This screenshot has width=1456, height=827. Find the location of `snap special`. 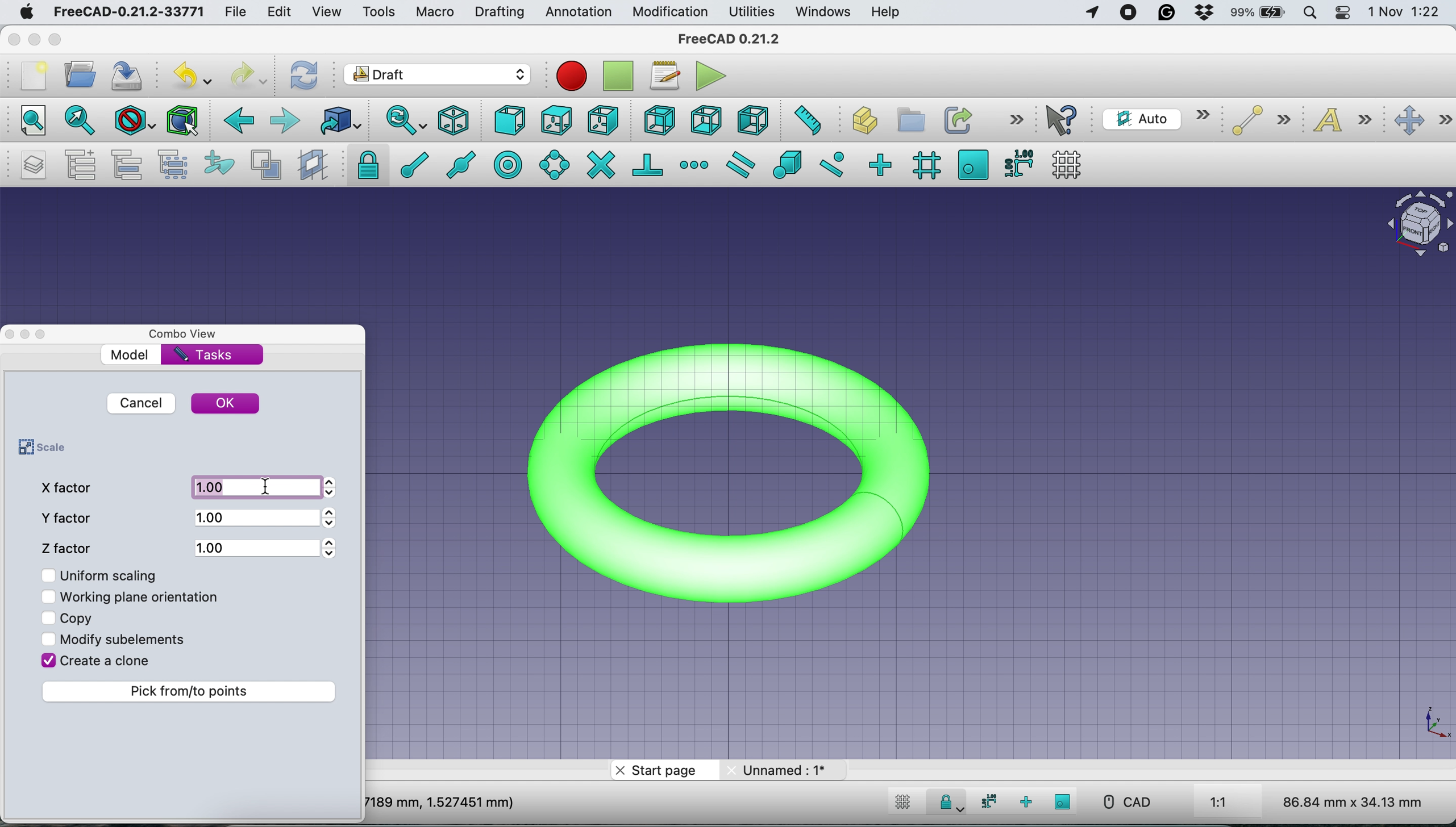

snap special is located at coordinates (788, 165).